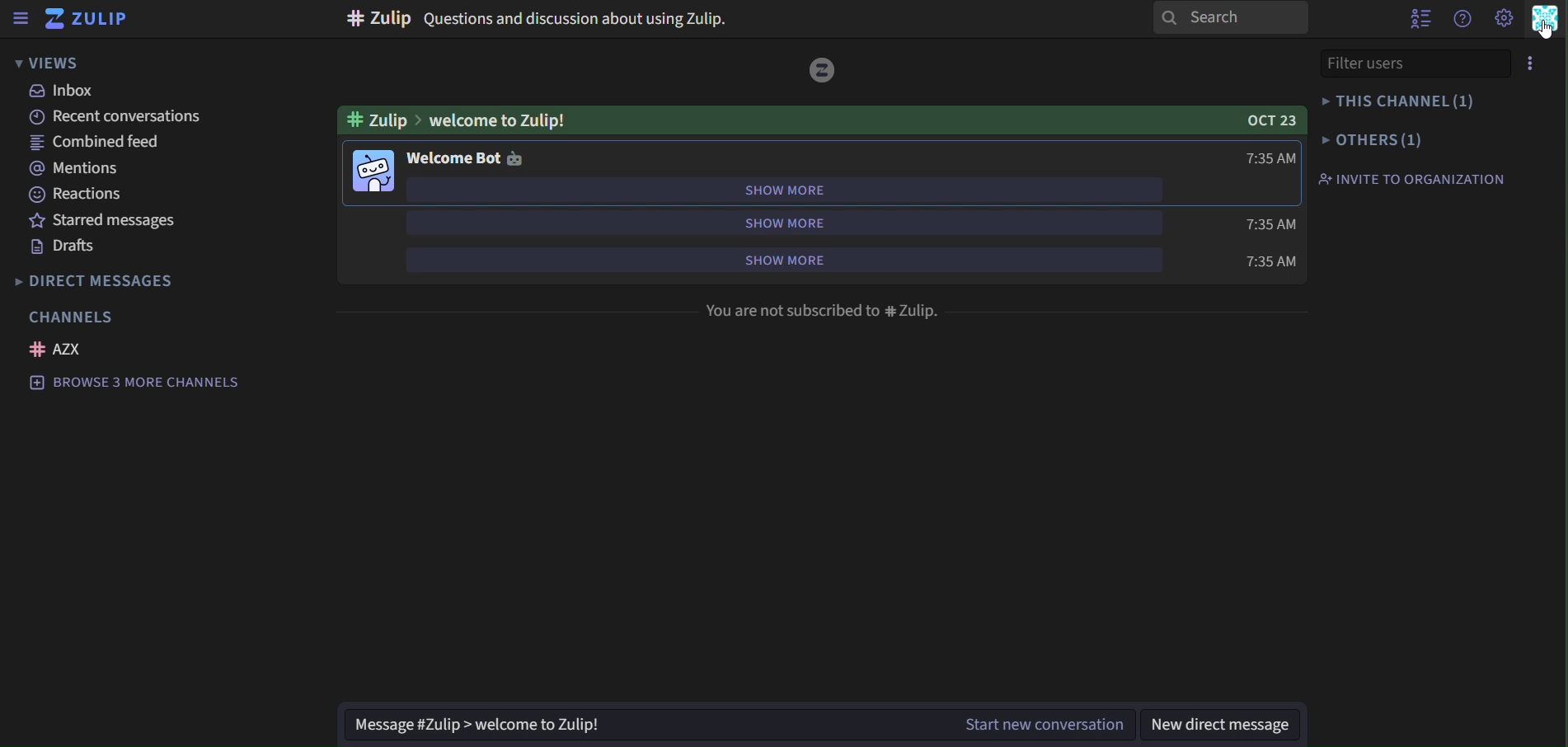 The image size is (1568, 747). Describe the element at coordinates (821, 311) in the screenshot. I see `You are not subscribed to # Zulip.` at that location.